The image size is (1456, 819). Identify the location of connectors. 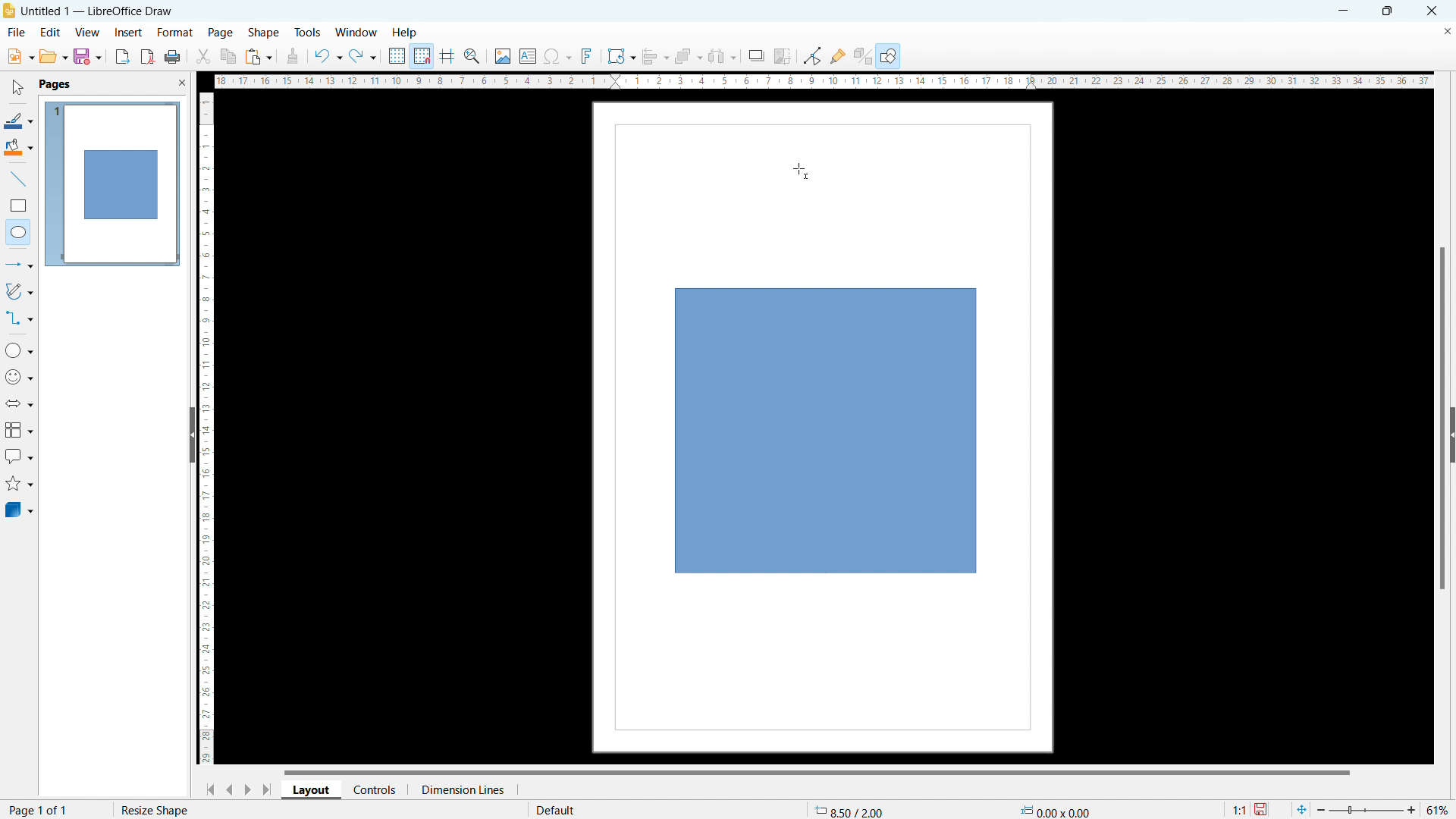
(20, 318).